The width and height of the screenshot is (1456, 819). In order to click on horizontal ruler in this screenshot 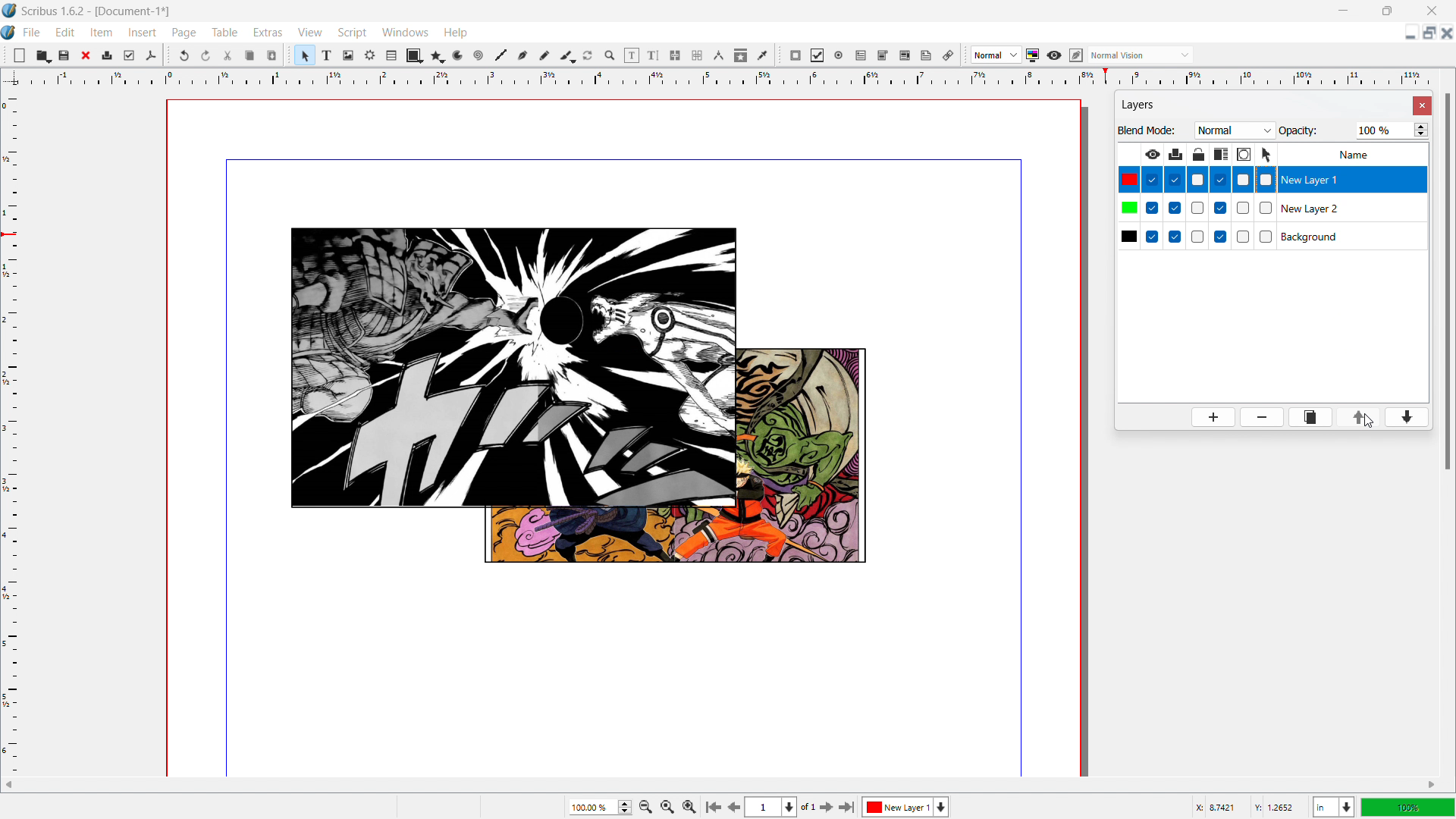, I will do `click(727, 77)`.